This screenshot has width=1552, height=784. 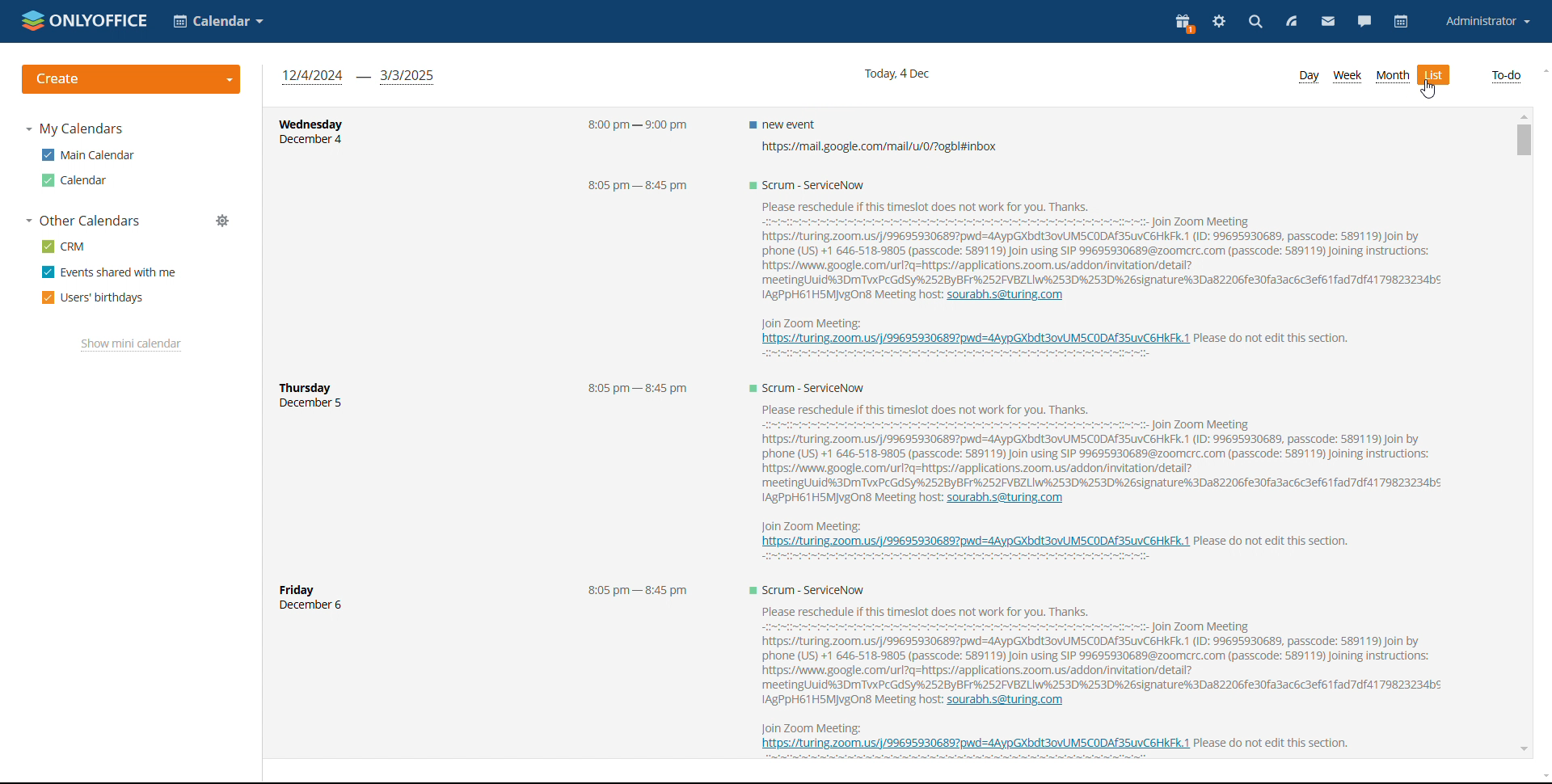 I want to click on week view, so click(x=1347, y=77).